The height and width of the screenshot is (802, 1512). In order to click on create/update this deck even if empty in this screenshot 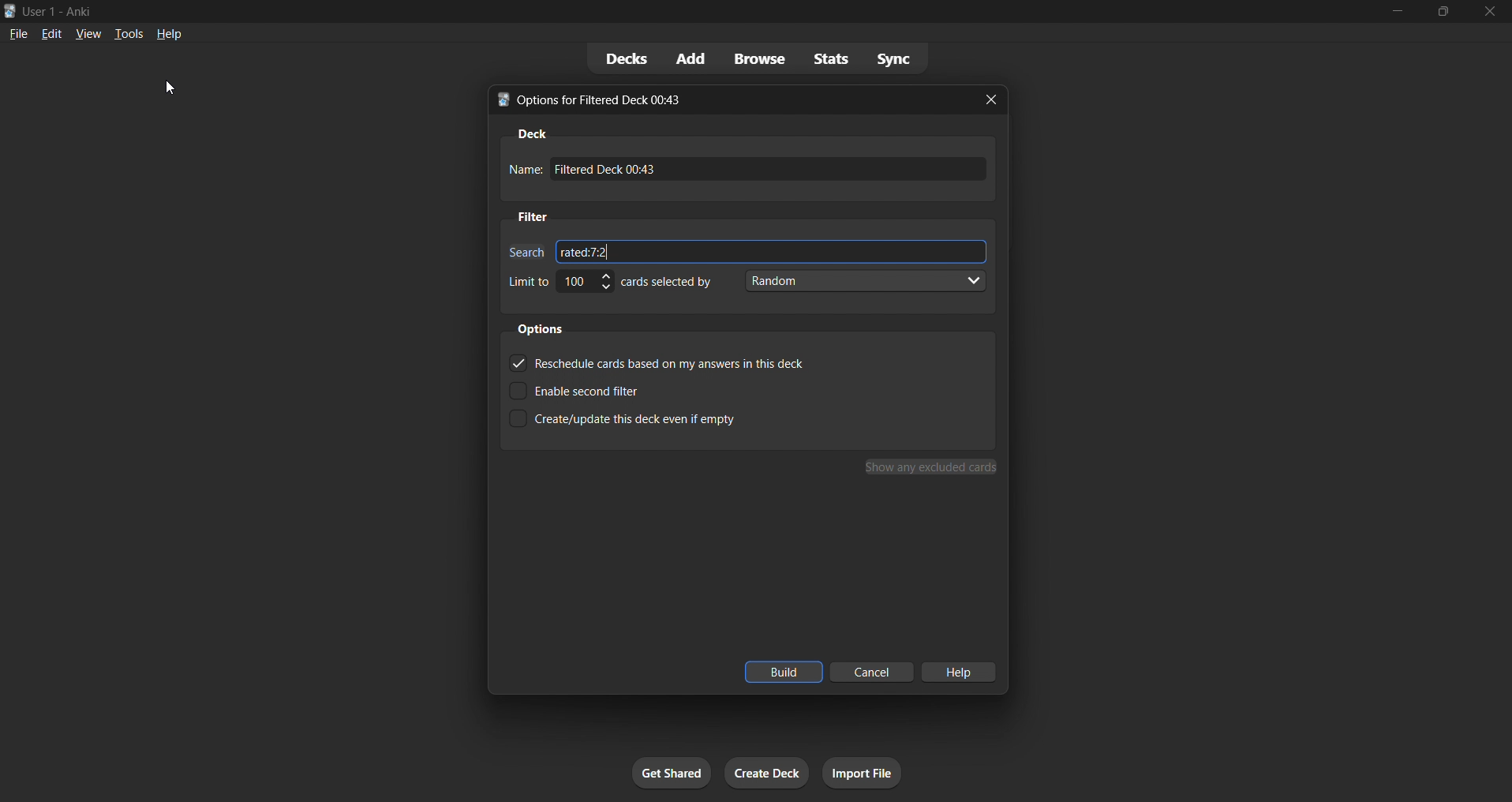, I will do `click(640, 424)`.